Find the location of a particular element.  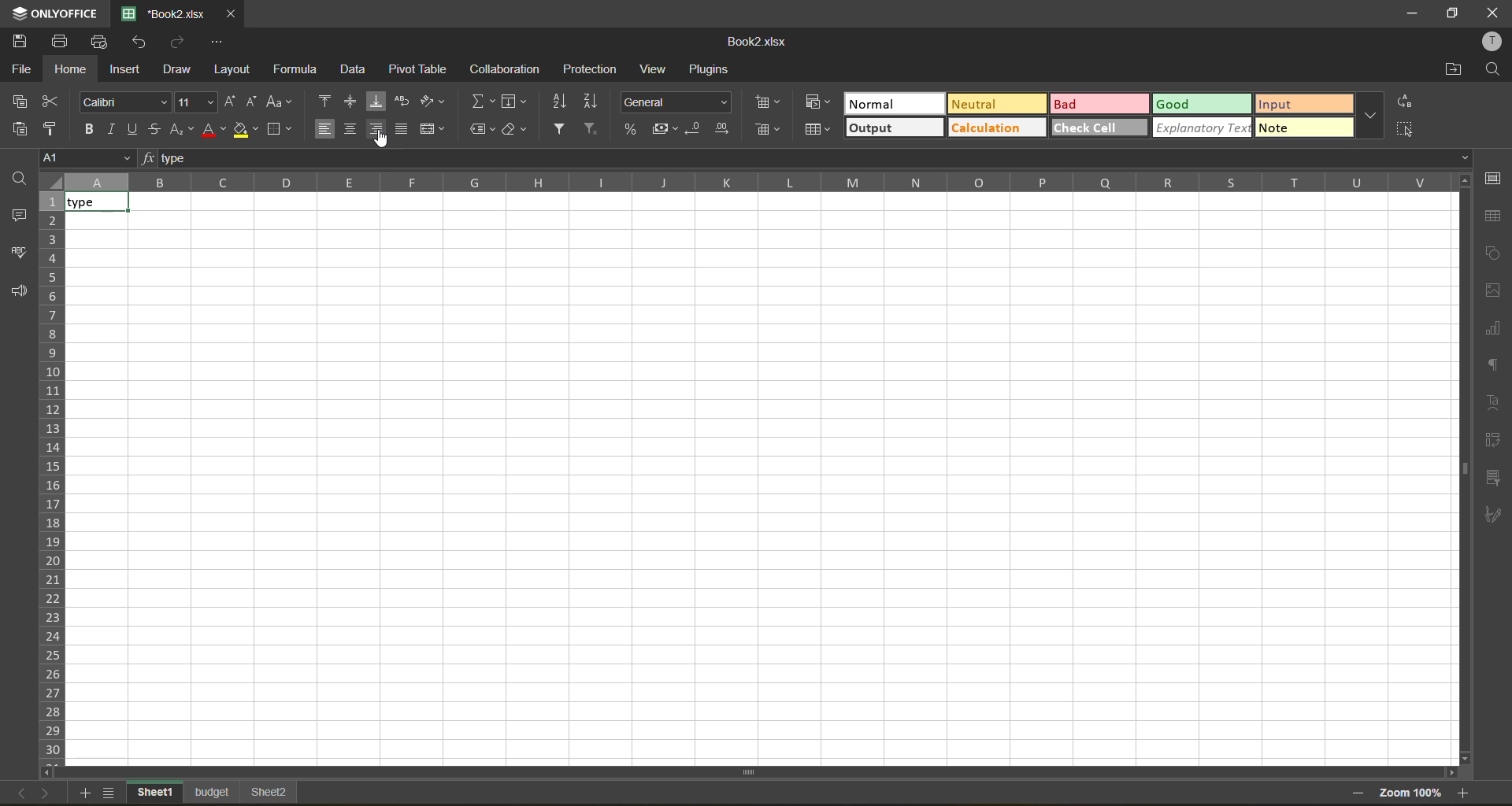

collaboration is located at coordinates (510, 68).